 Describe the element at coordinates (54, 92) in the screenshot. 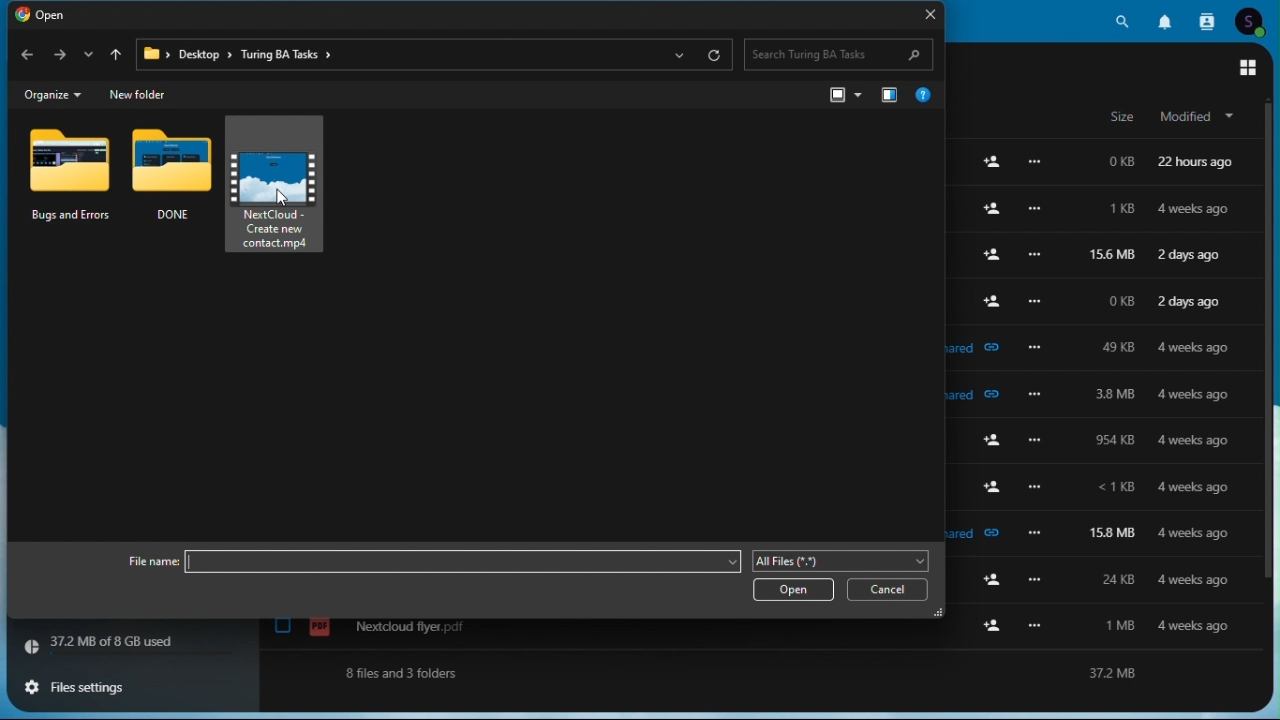

I see `organize` at that location.